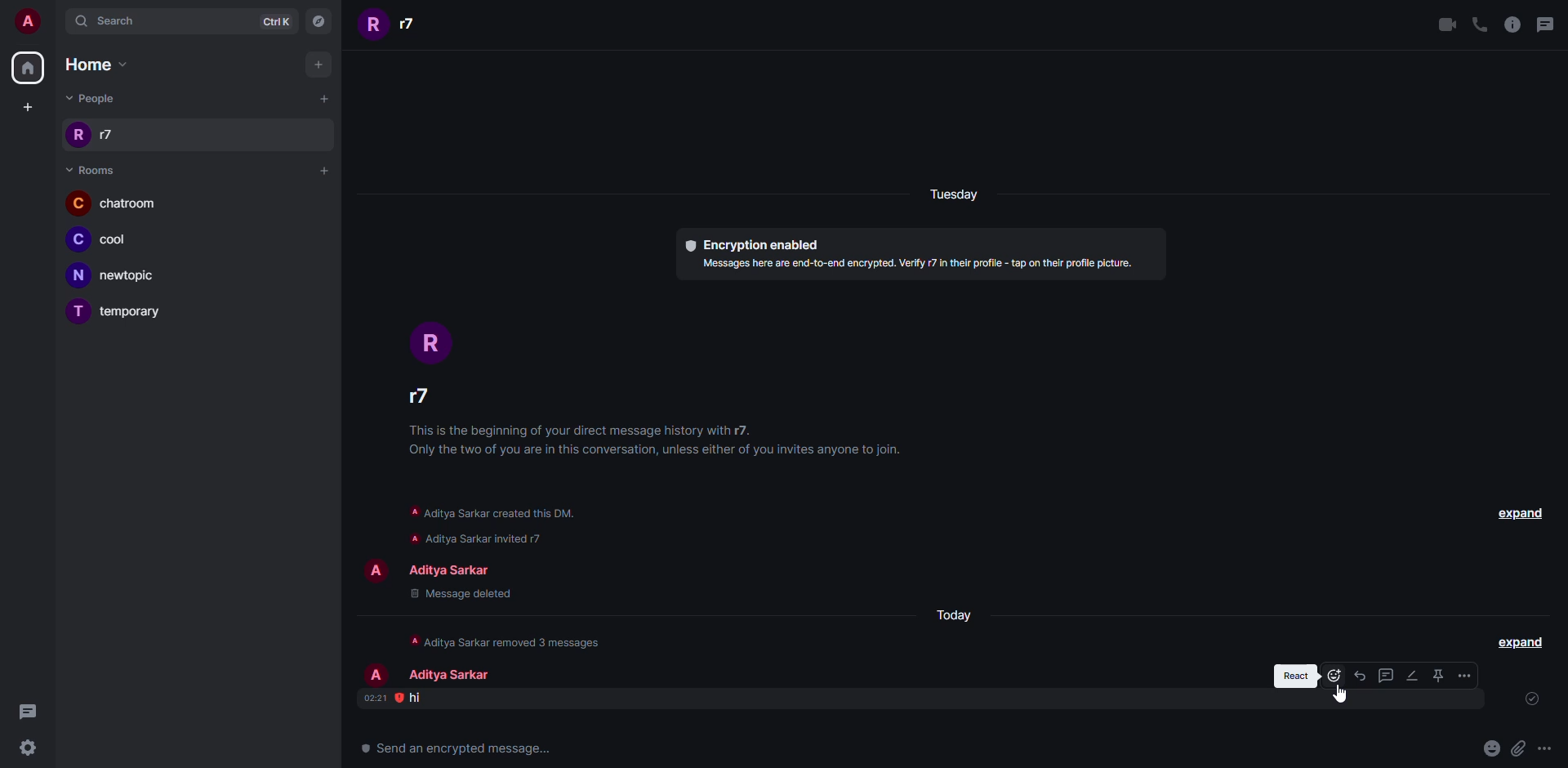 The width and height of the screenshot is (1568, 768). What do you see at coordinates (664, 440) in the screenshot?
I see `info` at bounding box center [664, 440].